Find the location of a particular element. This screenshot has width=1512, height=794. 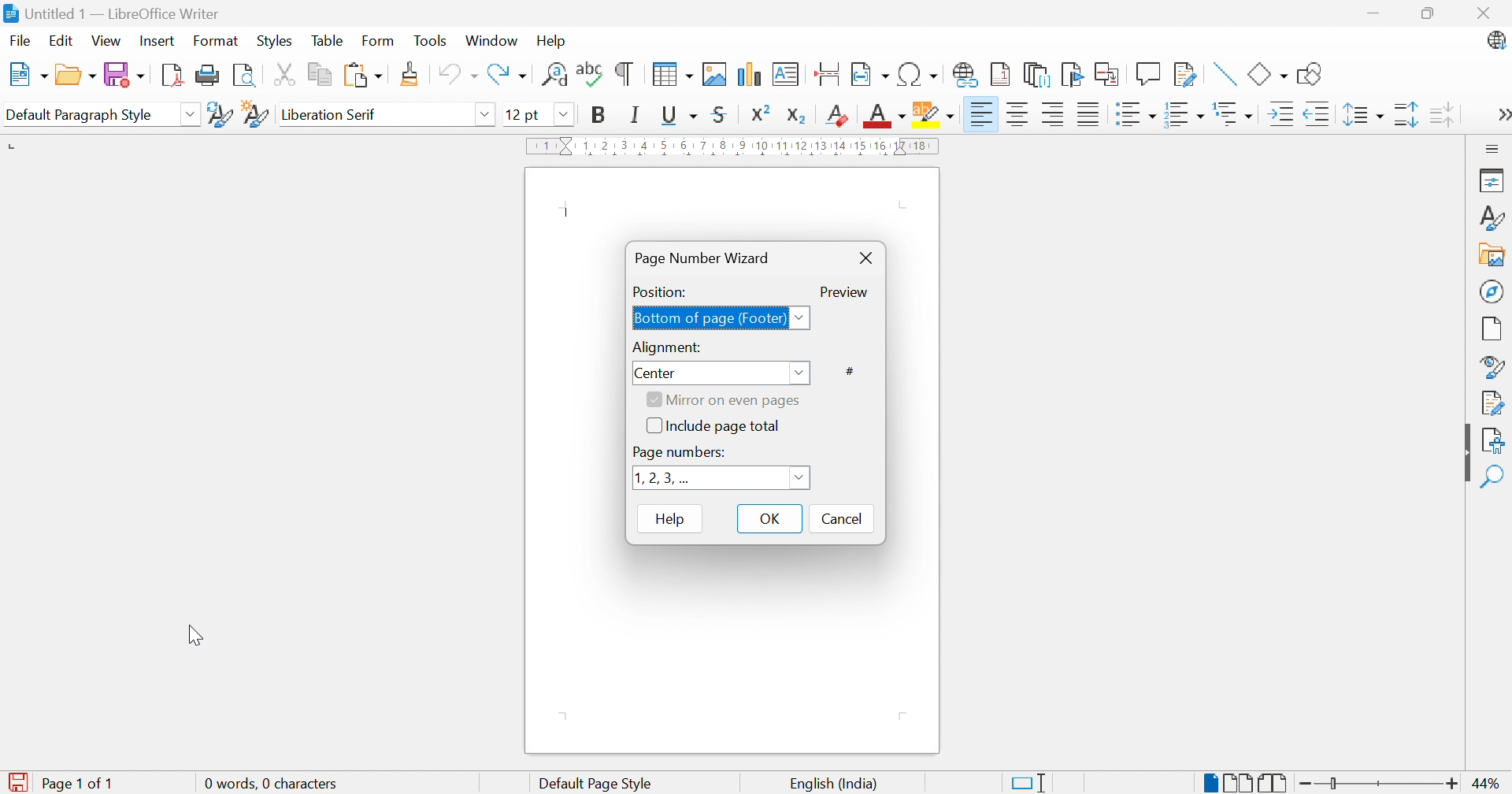

Manage changes is located at coordinates (1493, 403).